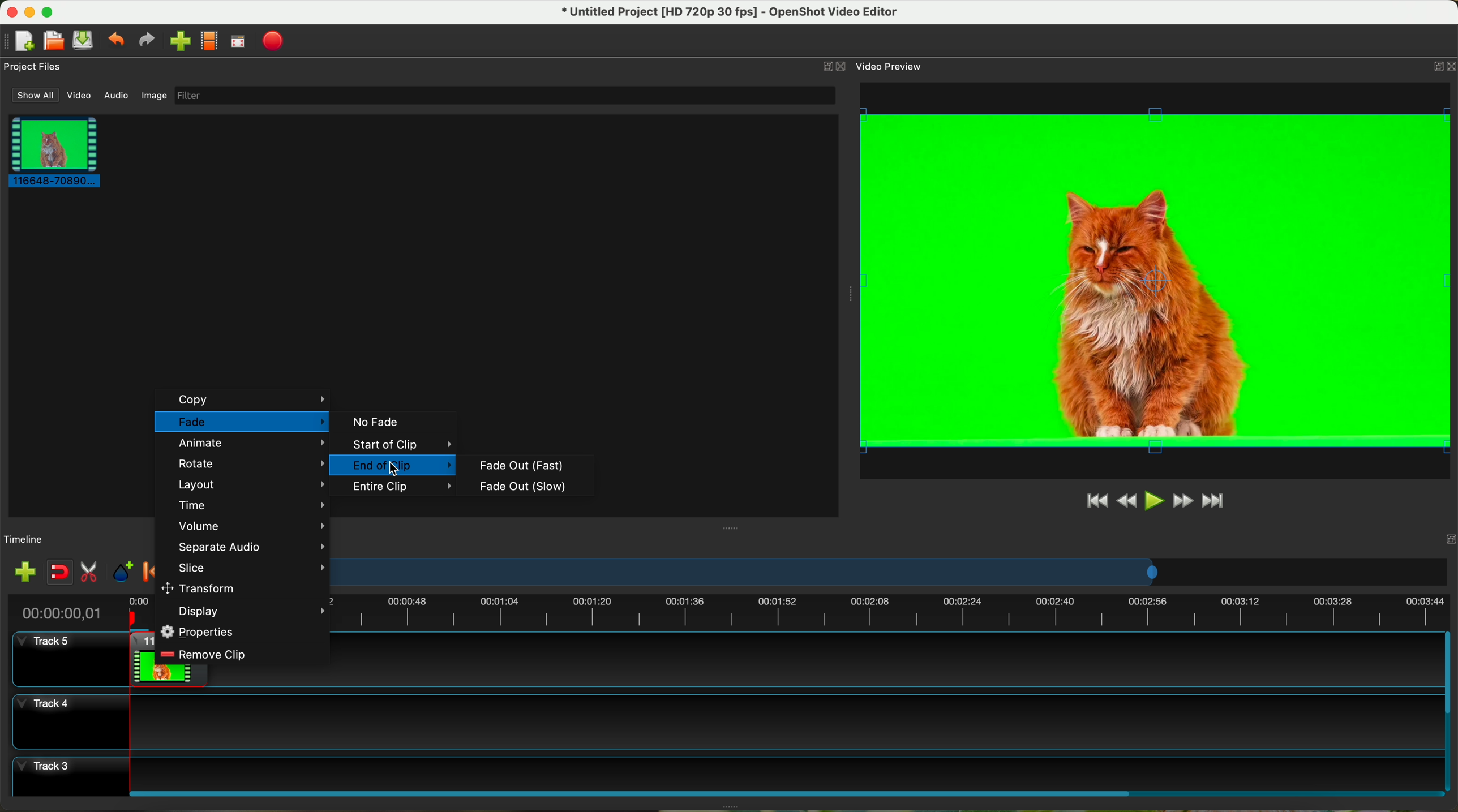 This screenshot has height=812, width=1458. I want to click on save project, so click(84, 40).